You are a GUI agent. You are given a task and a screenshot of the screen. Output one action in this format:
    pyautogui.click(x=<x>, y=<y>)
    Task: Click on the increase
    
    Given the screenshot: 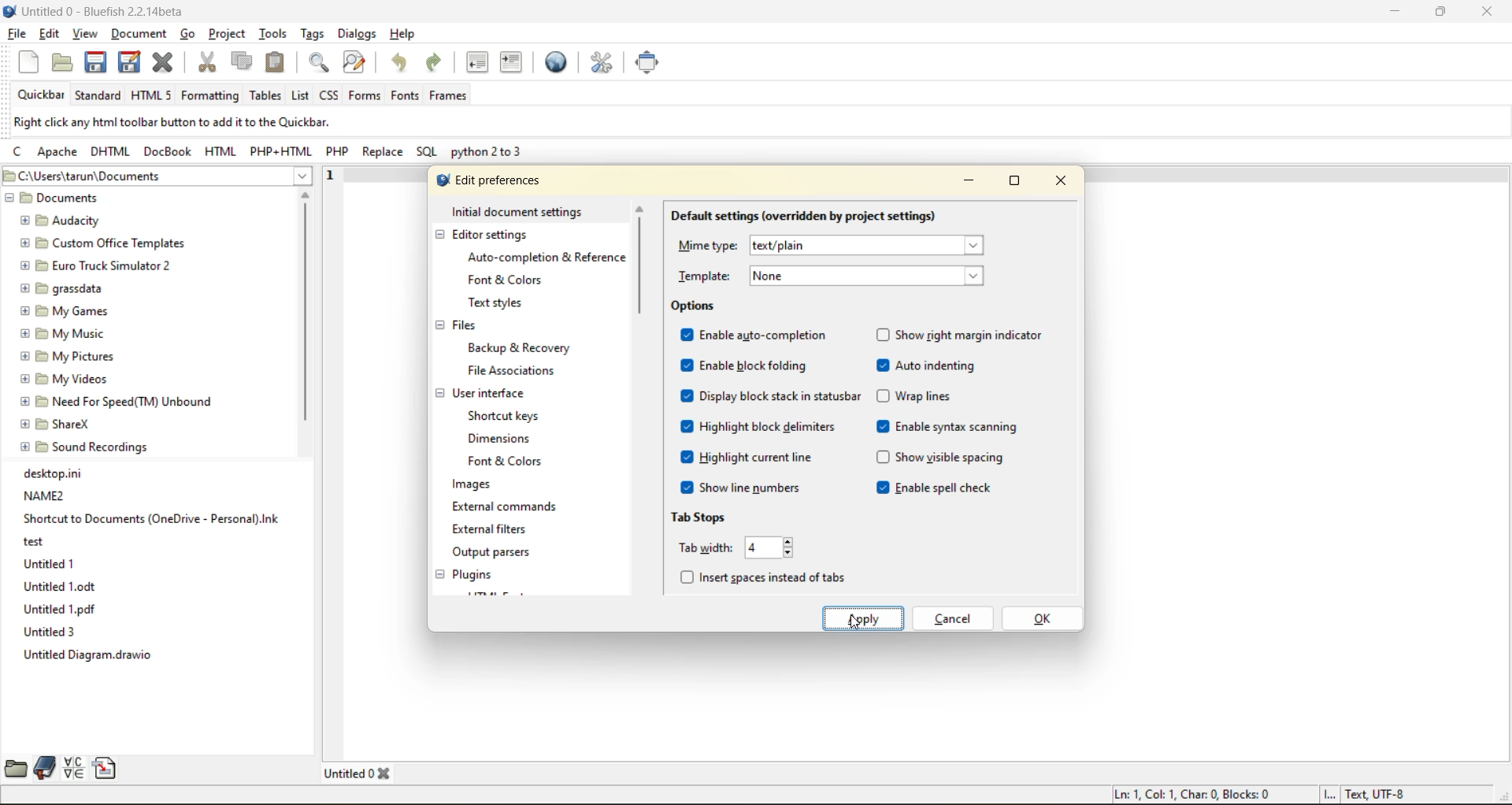 What is the action you would take?
    pyautogui.click(x=793, y=542)
    